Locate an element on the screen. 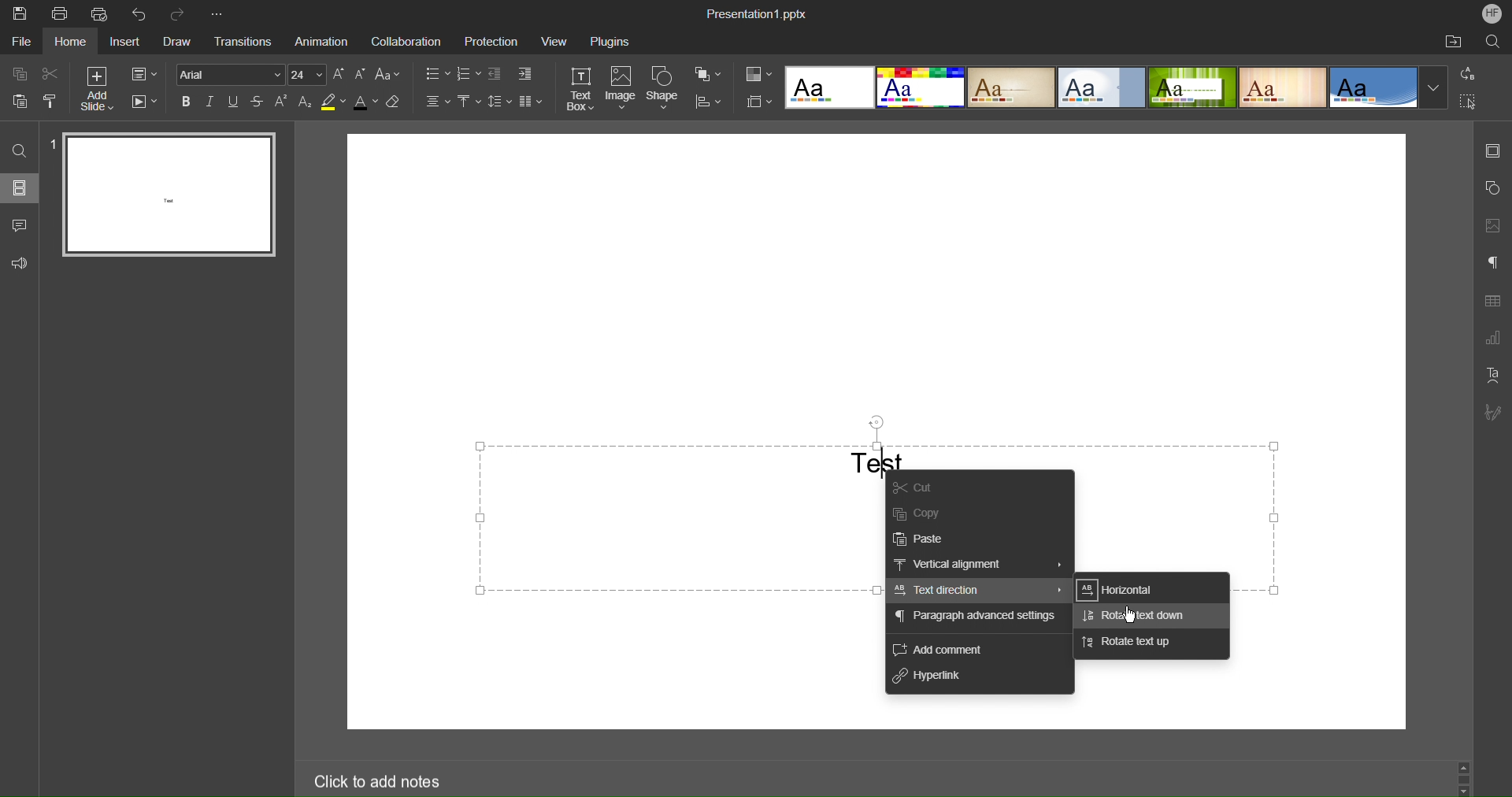 Image resolution: width=1512 pixels, height=797 pixels. Decrease size is located at coordinates (361, 74).